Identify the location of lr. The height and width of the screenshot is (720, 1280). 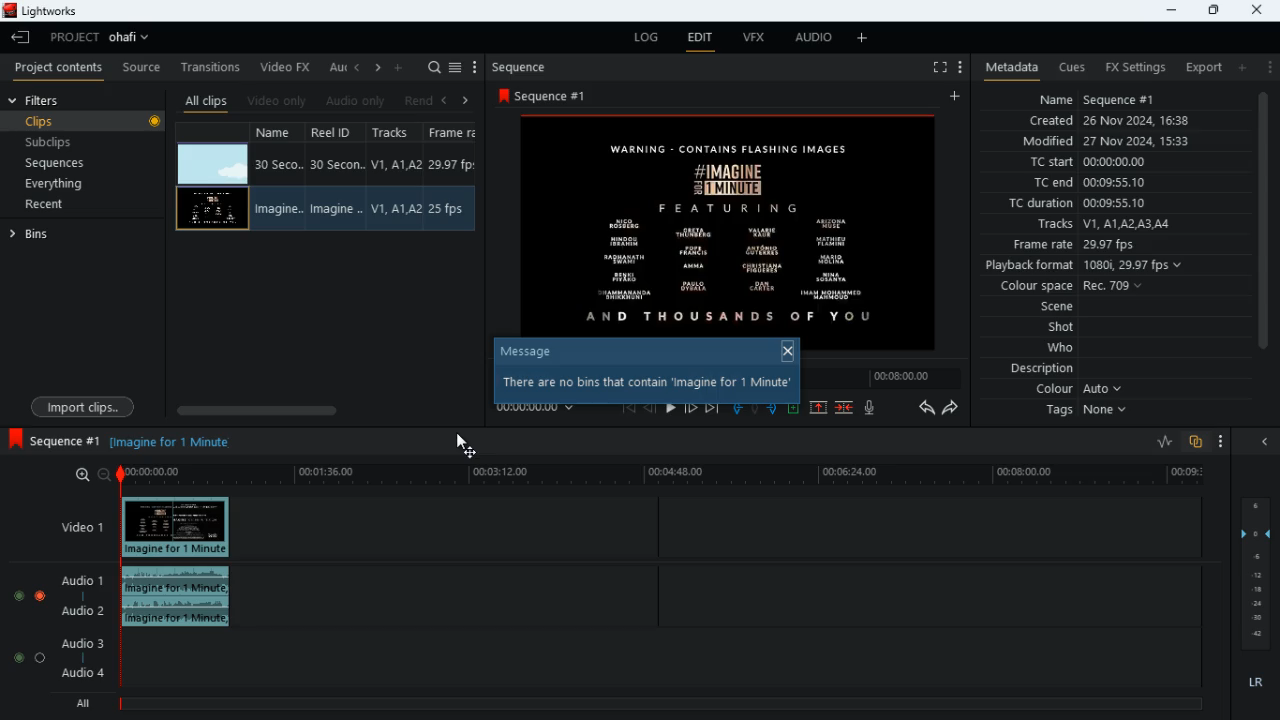
(1250, 683).